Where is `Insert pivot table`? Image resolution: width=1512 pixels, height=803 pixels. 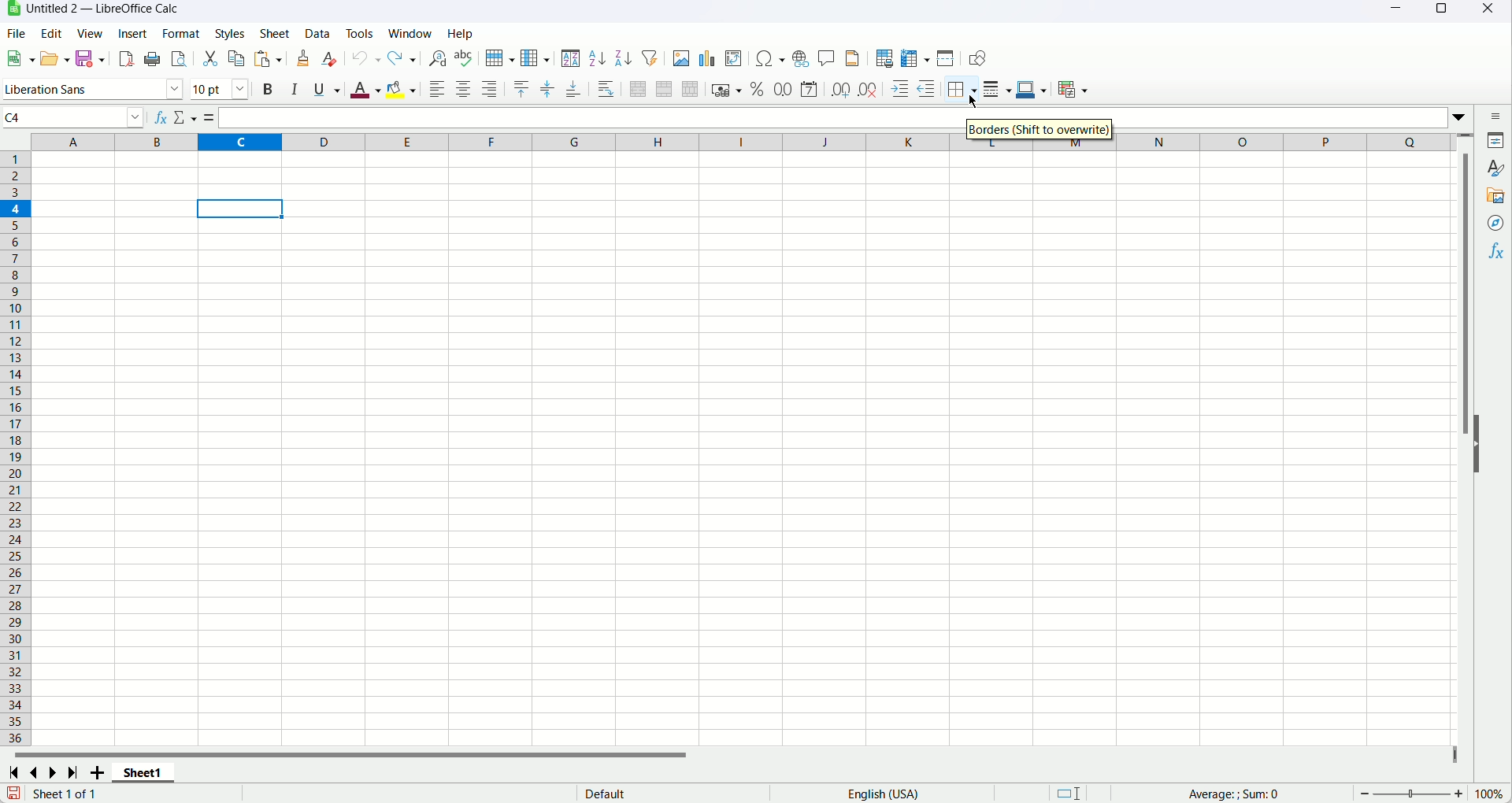 Insert pivot table is located at coordinates (734, 58).